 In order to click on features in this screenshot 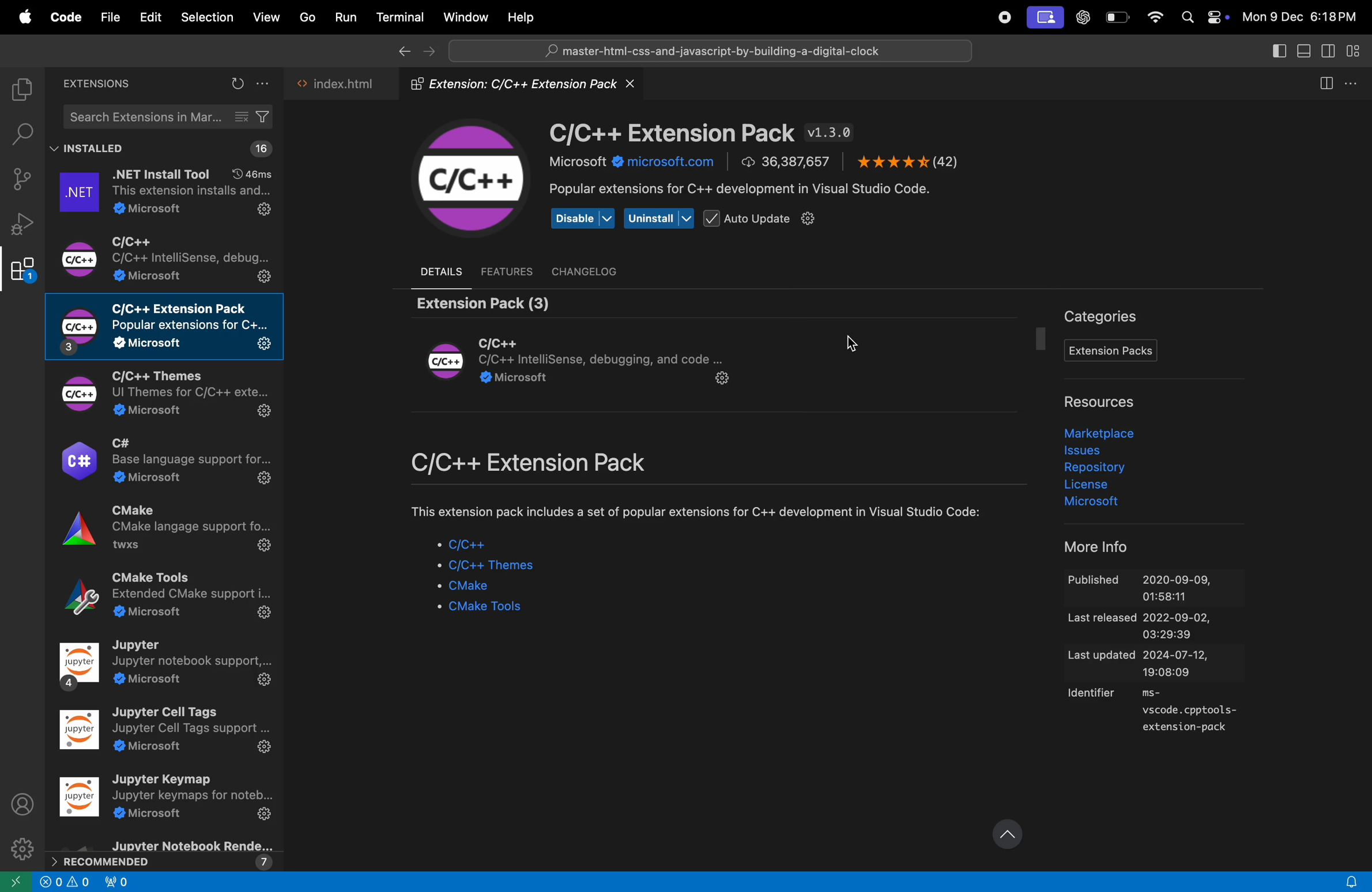, I will do `click(508, 271)`.